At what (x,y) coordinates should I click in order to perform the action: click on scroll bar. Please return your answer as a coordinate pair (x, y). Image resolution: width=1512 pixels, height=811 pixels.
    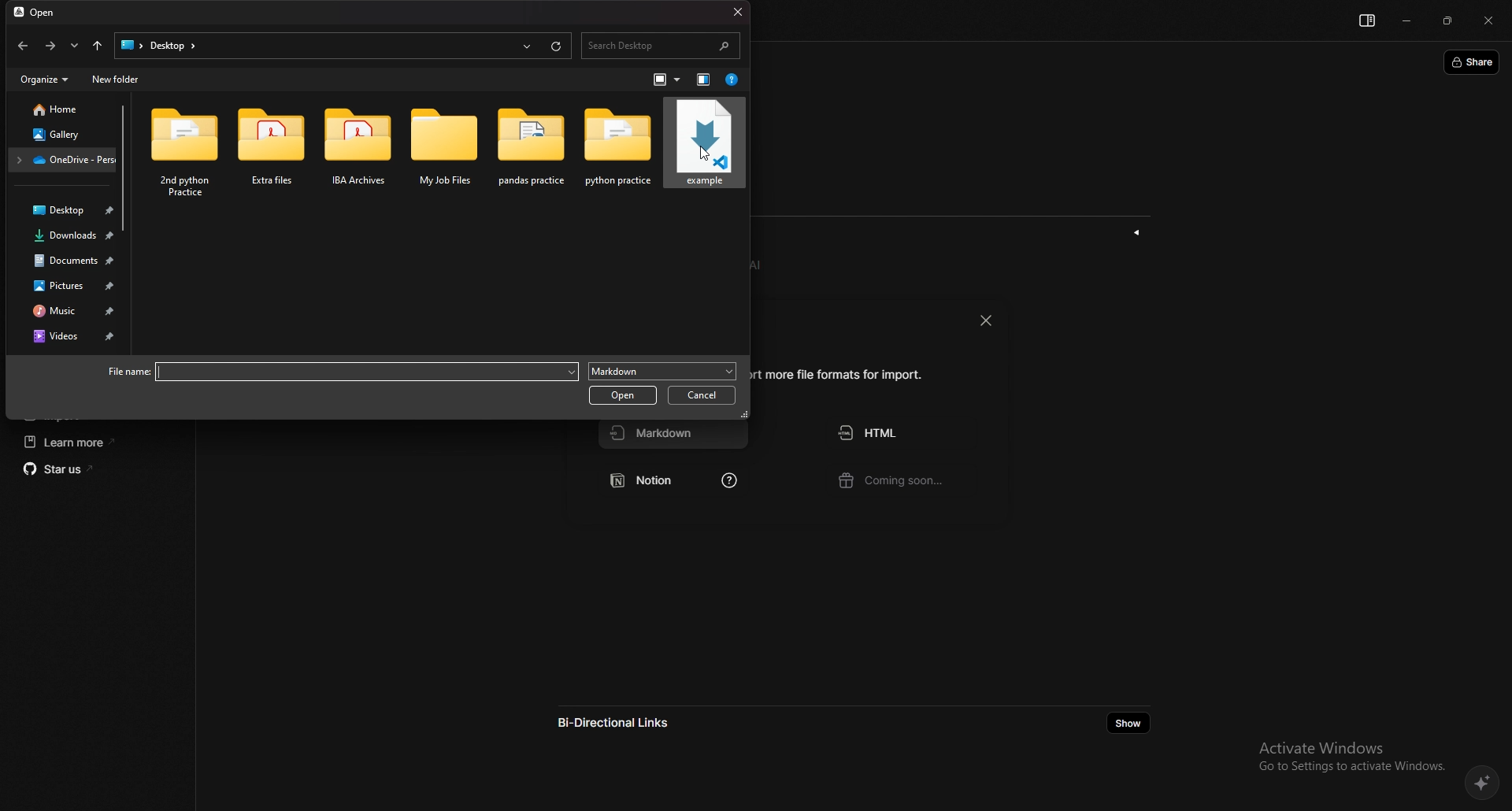
    Looking at the image, I should click on (124, 168).